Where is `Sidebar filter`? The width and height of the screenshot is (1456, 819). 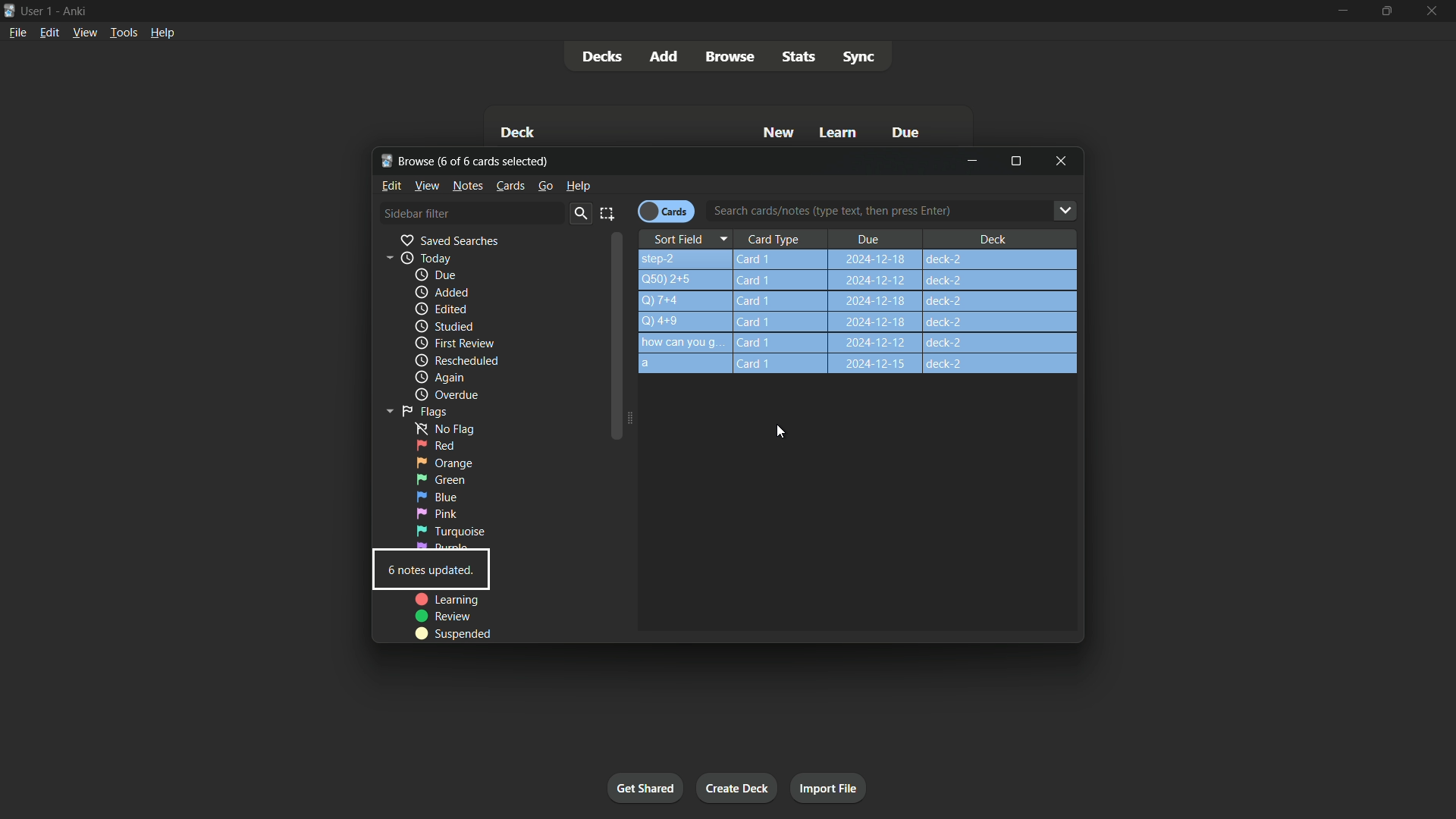 Sidebar filter is located at coordinates (416, 213).